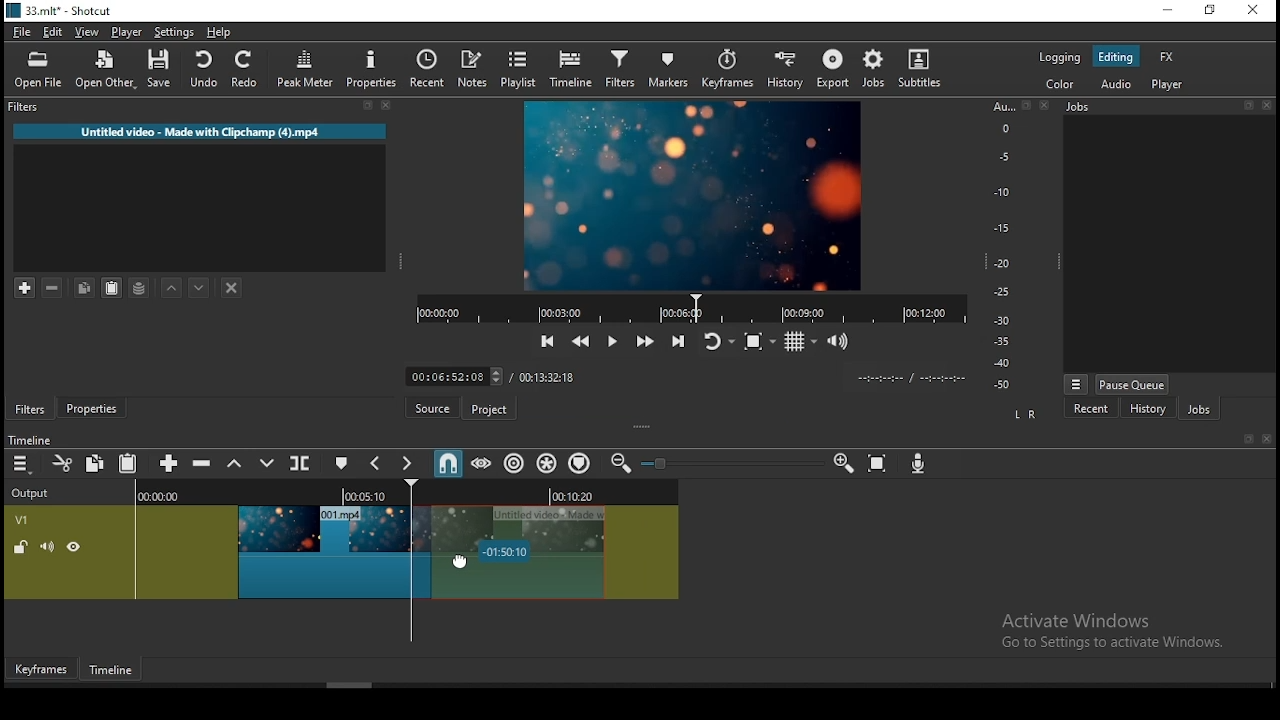 The width and height of the screenshot is (1280, 720). Describe the element at coordinates (805, 340) in the screenshot. I see `toggle grid display on player` at that location.